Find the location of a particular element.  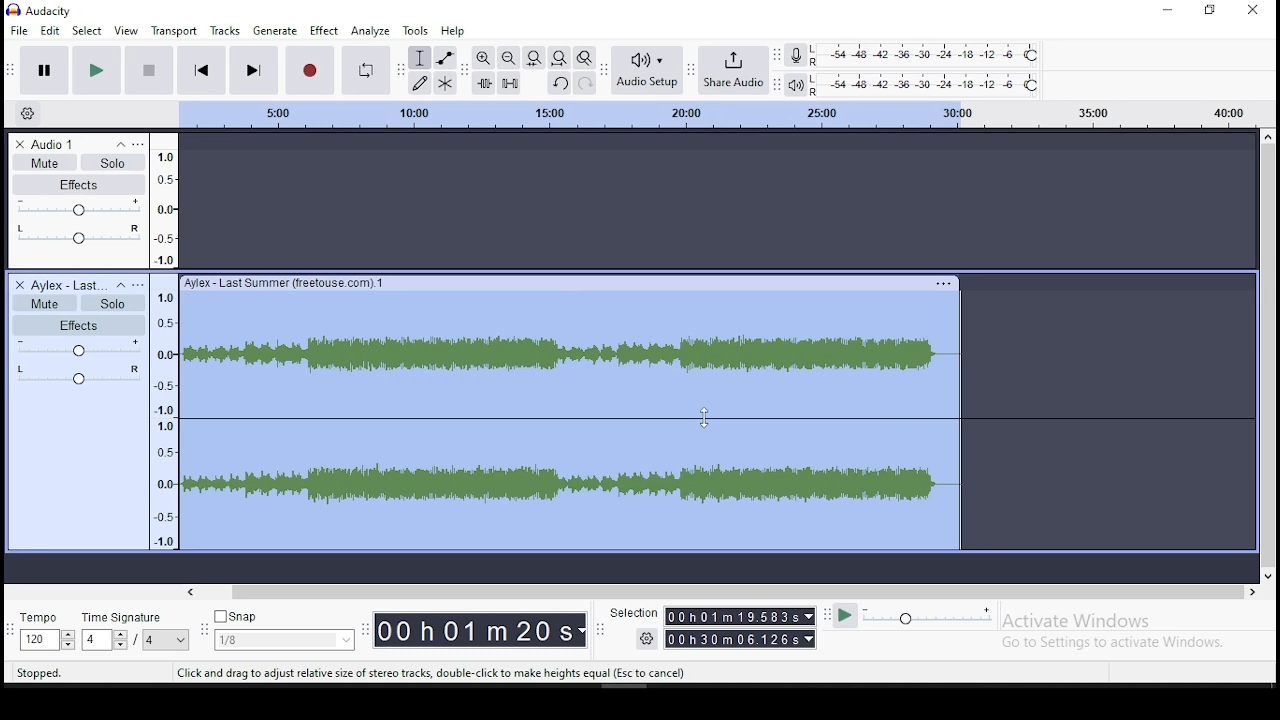

playback speed is located at coordinates (920, 617).